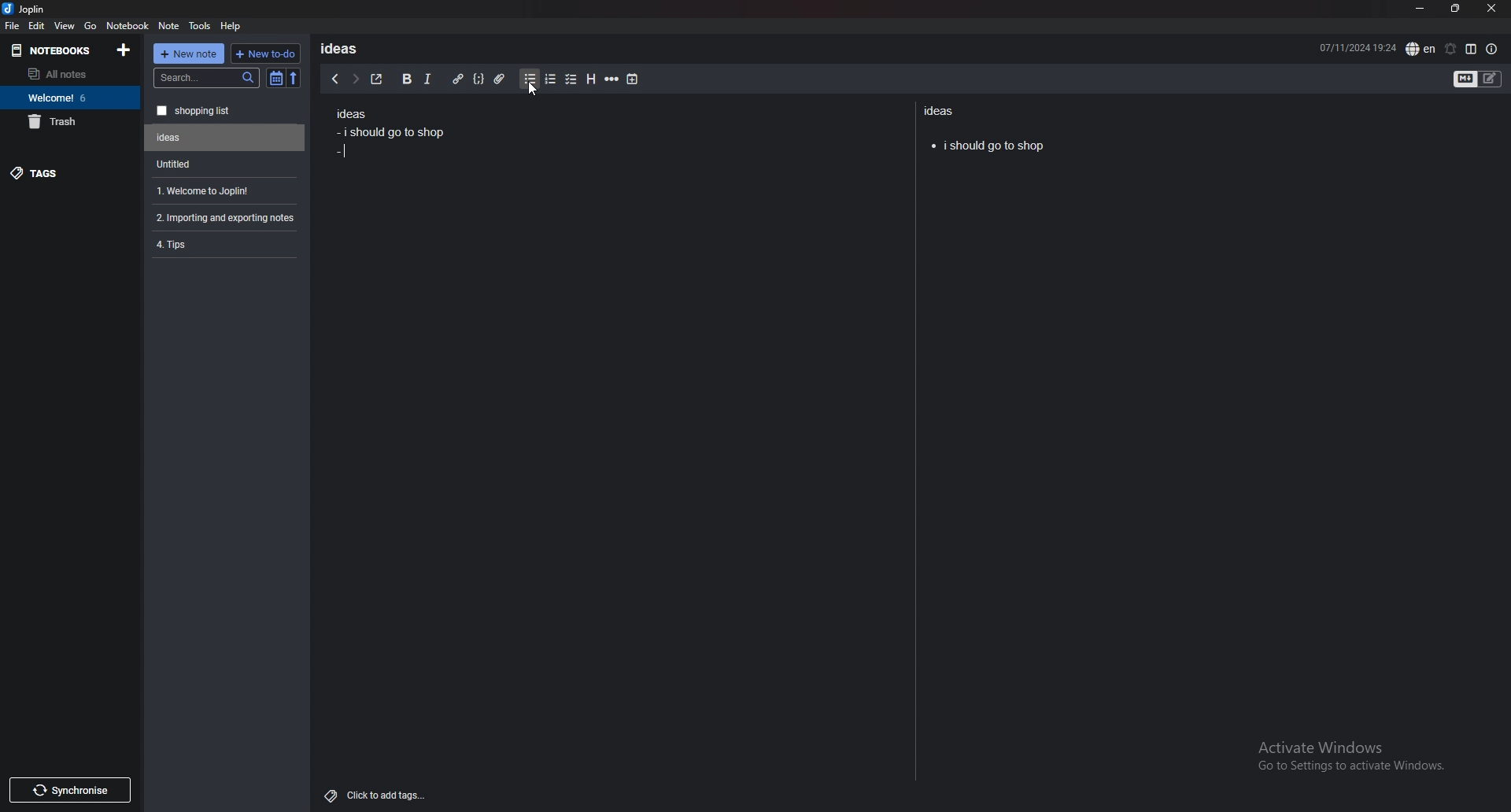 The width and height of the screenshot is (1511, 812). I want to click on file, so click(12, 25).